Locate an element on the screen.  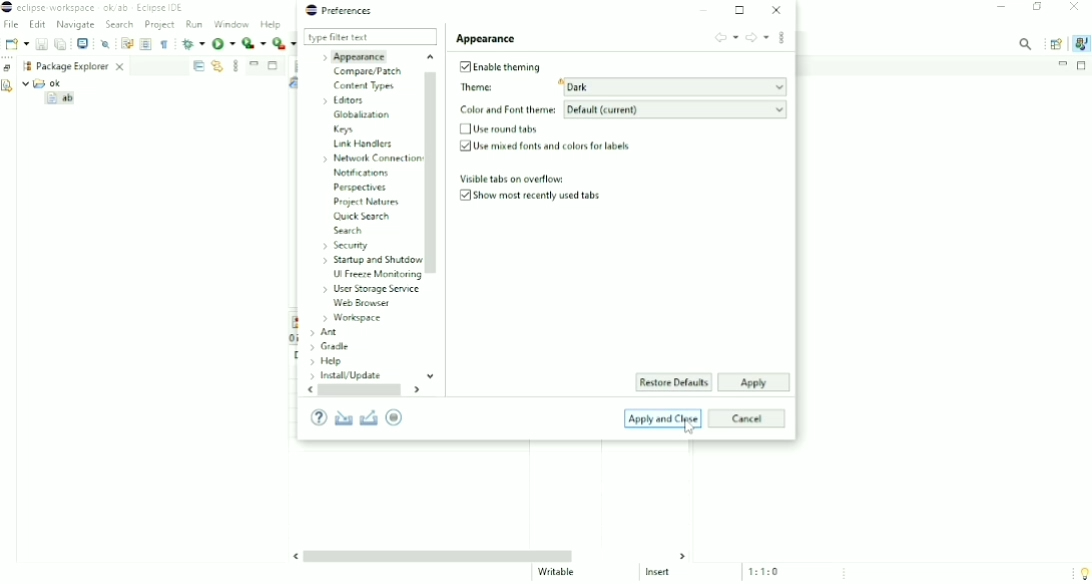
Help is located at coordinates (327, 362).